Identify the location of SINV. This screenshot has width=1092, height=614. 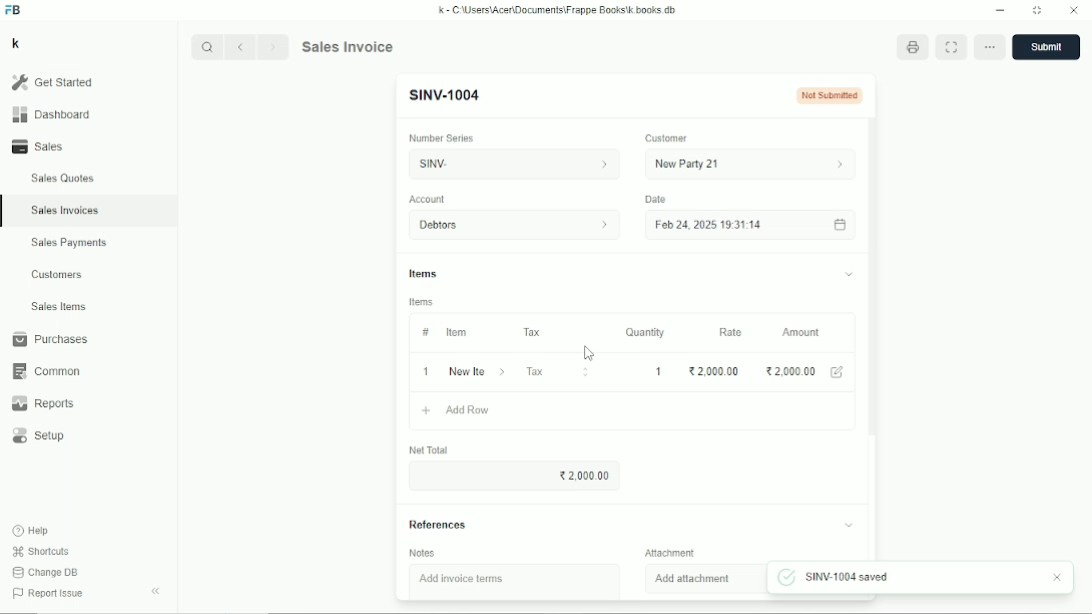
(511, 164).